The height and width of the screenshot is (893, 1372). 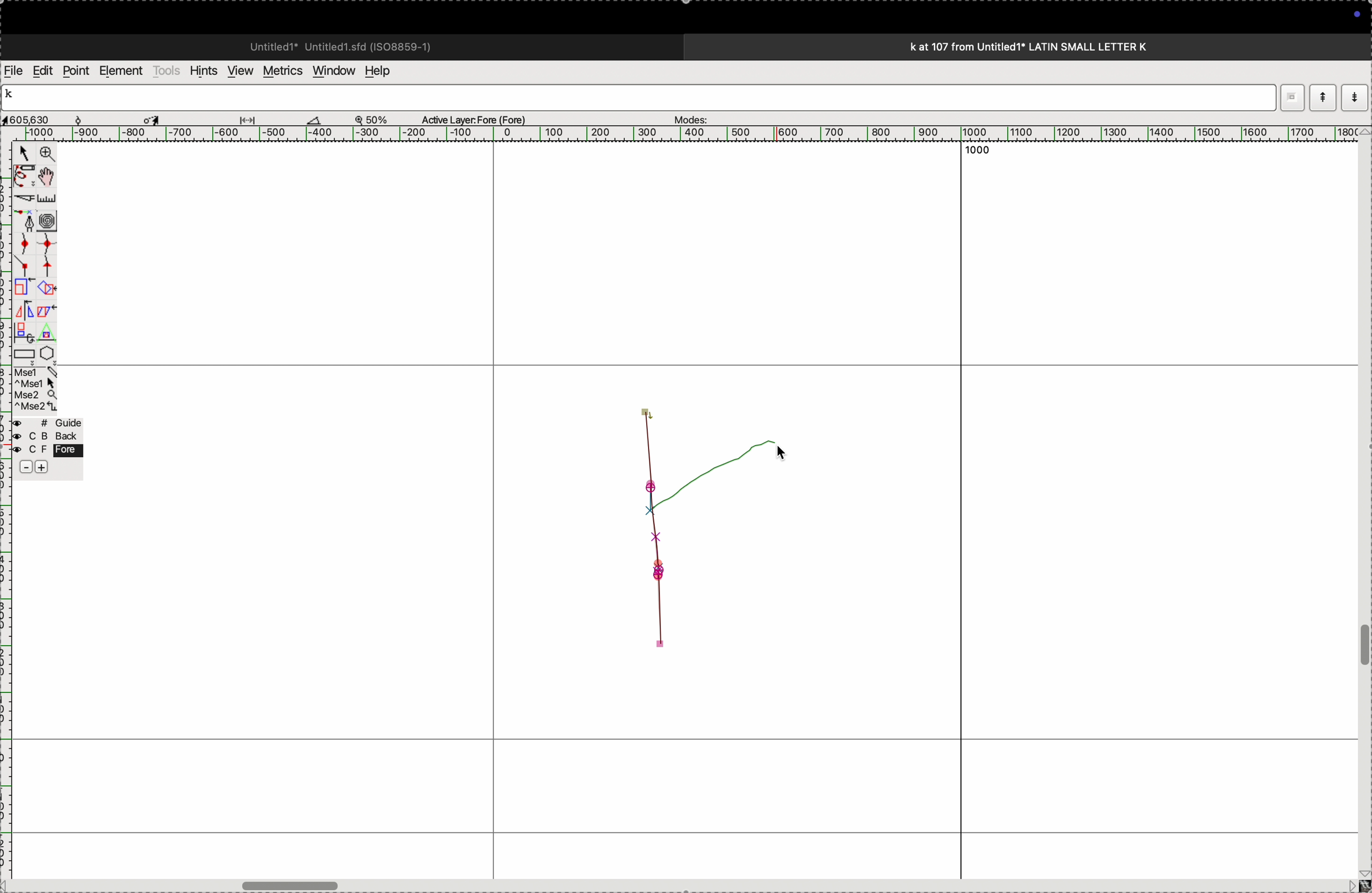 I want to click on title, so click(x=1060, y=46).